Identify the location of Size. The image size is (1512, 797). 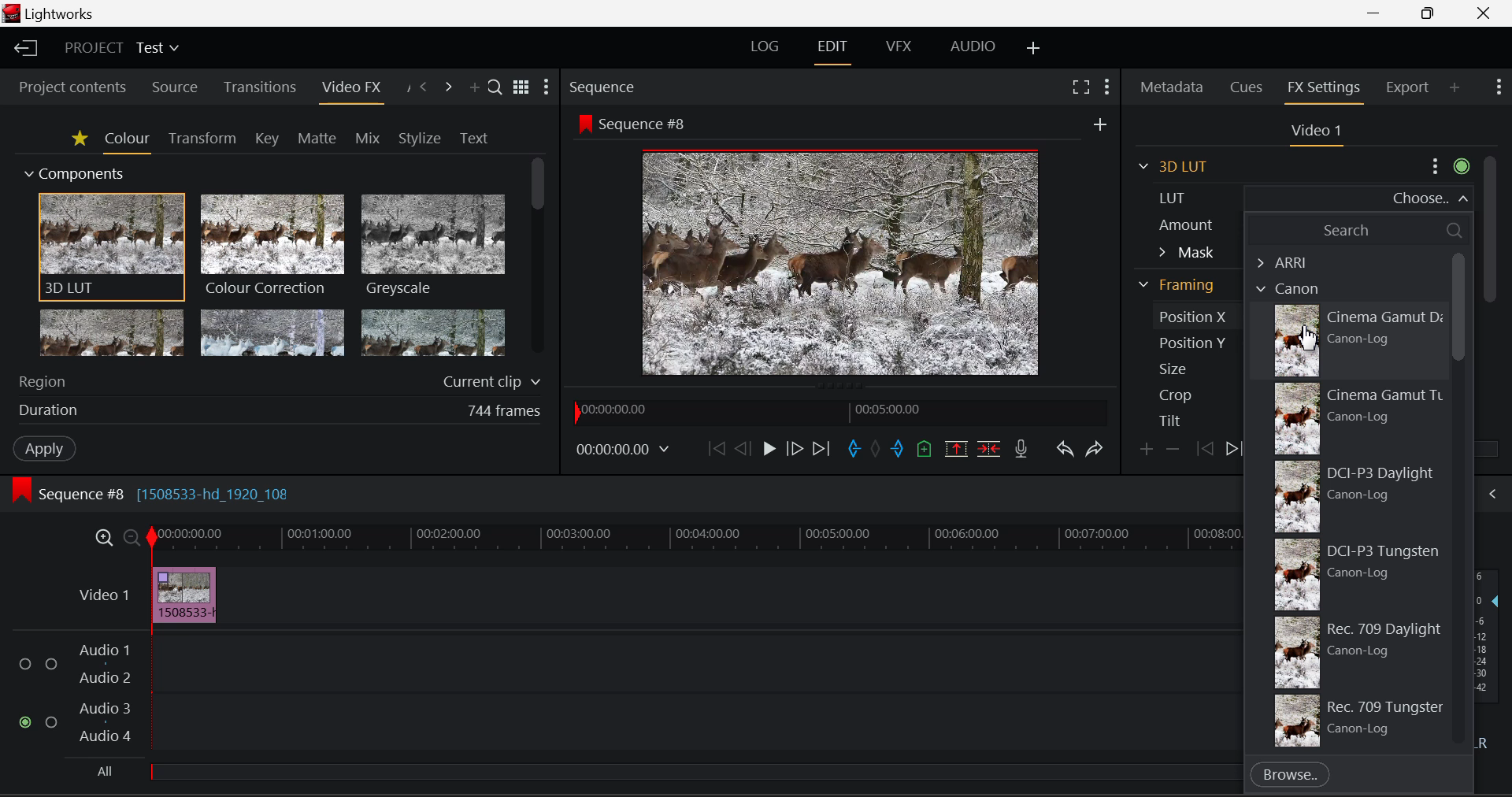
(1185, 370).